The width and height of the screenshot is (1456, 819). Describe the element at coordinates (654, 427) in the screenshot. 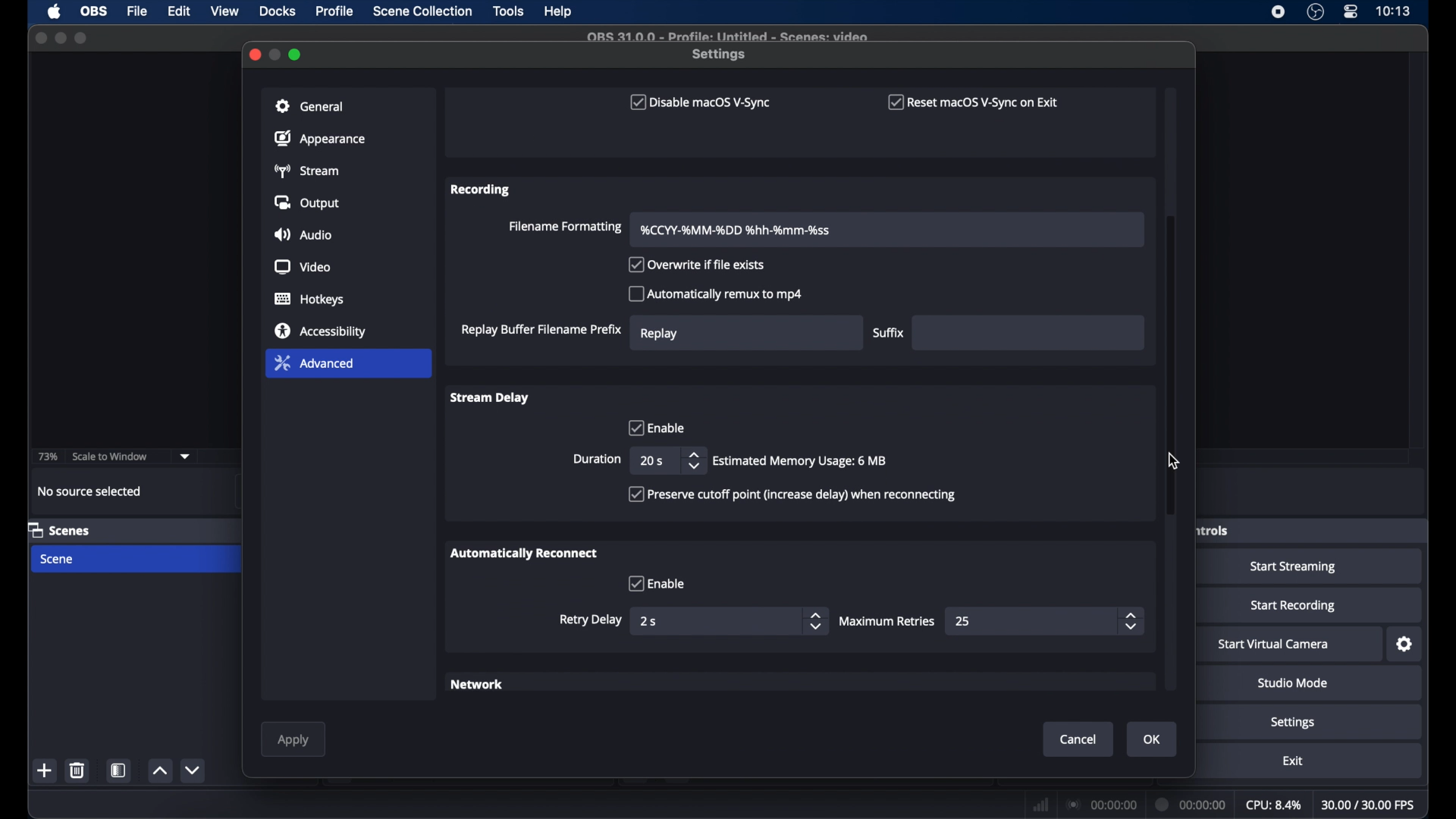

I see `enable` at that location.